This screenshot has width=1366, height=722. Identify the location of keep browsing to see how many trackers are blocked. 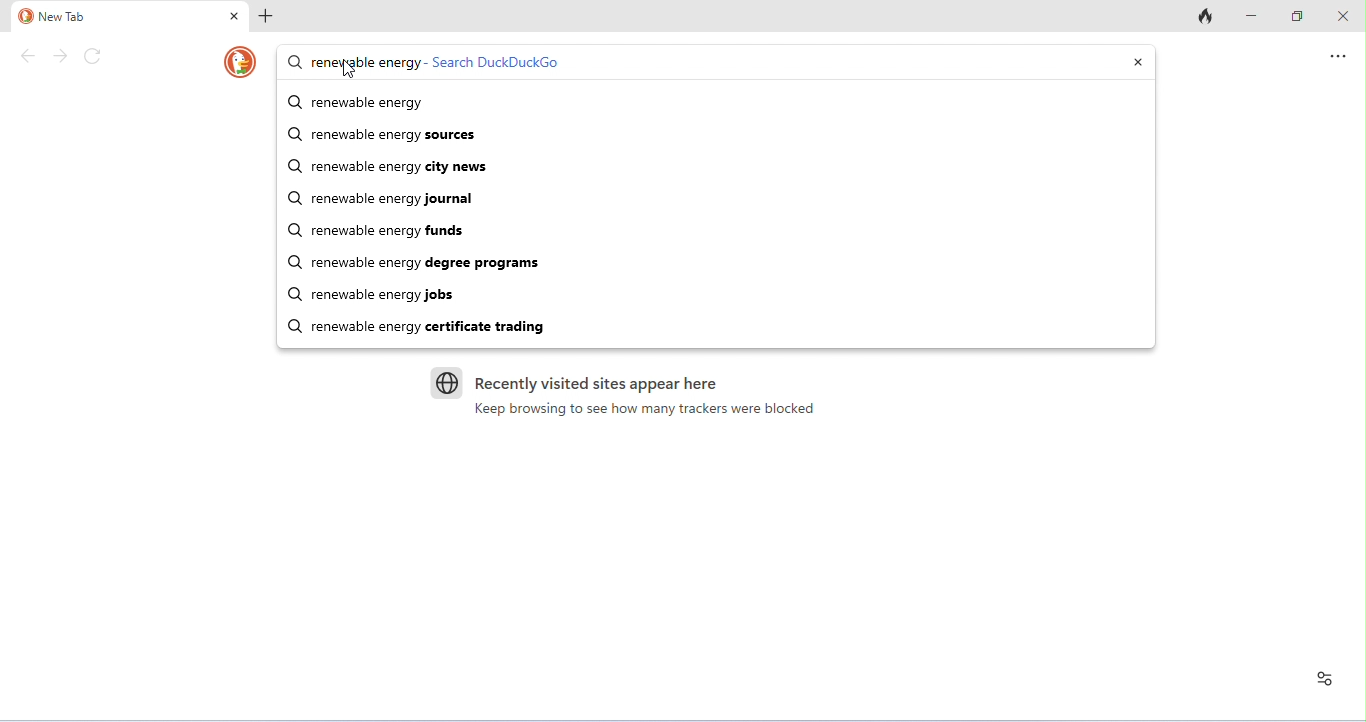
(644, 409).